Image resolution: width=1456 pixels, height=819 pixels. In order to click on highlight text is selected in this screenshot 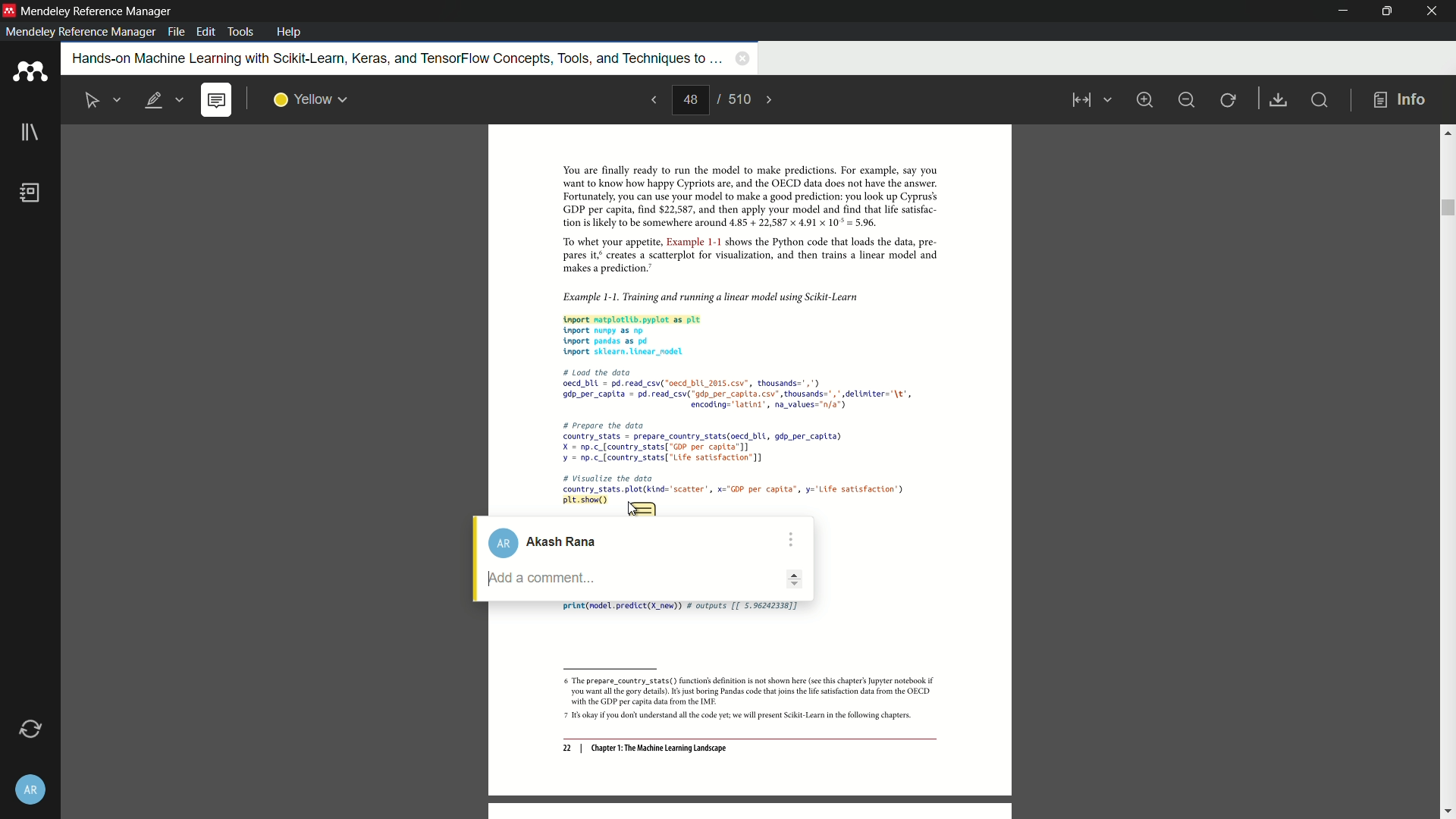, I will do `click(163, 101)`.